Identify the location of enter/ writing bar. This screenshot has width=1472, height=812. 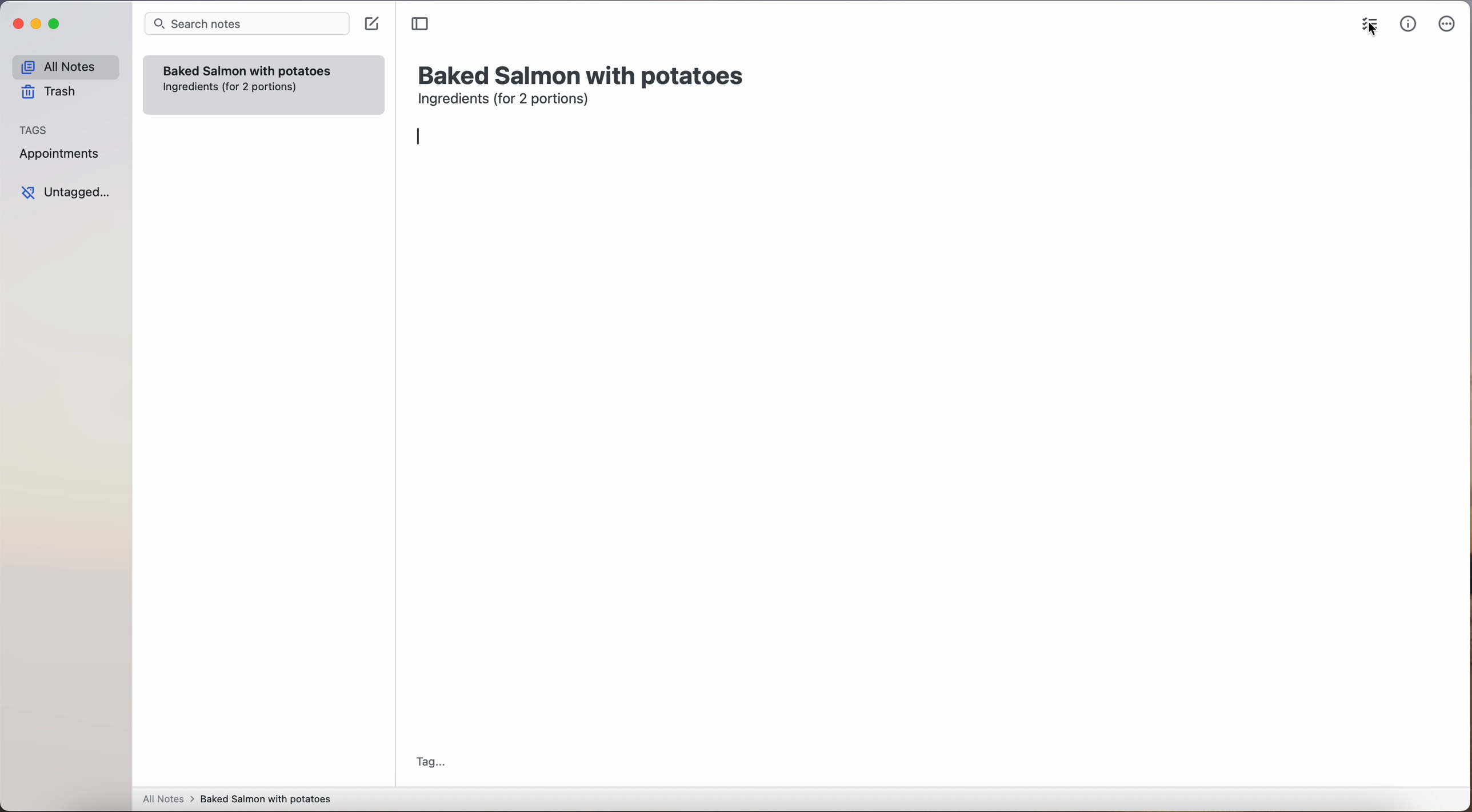
(419, 137).